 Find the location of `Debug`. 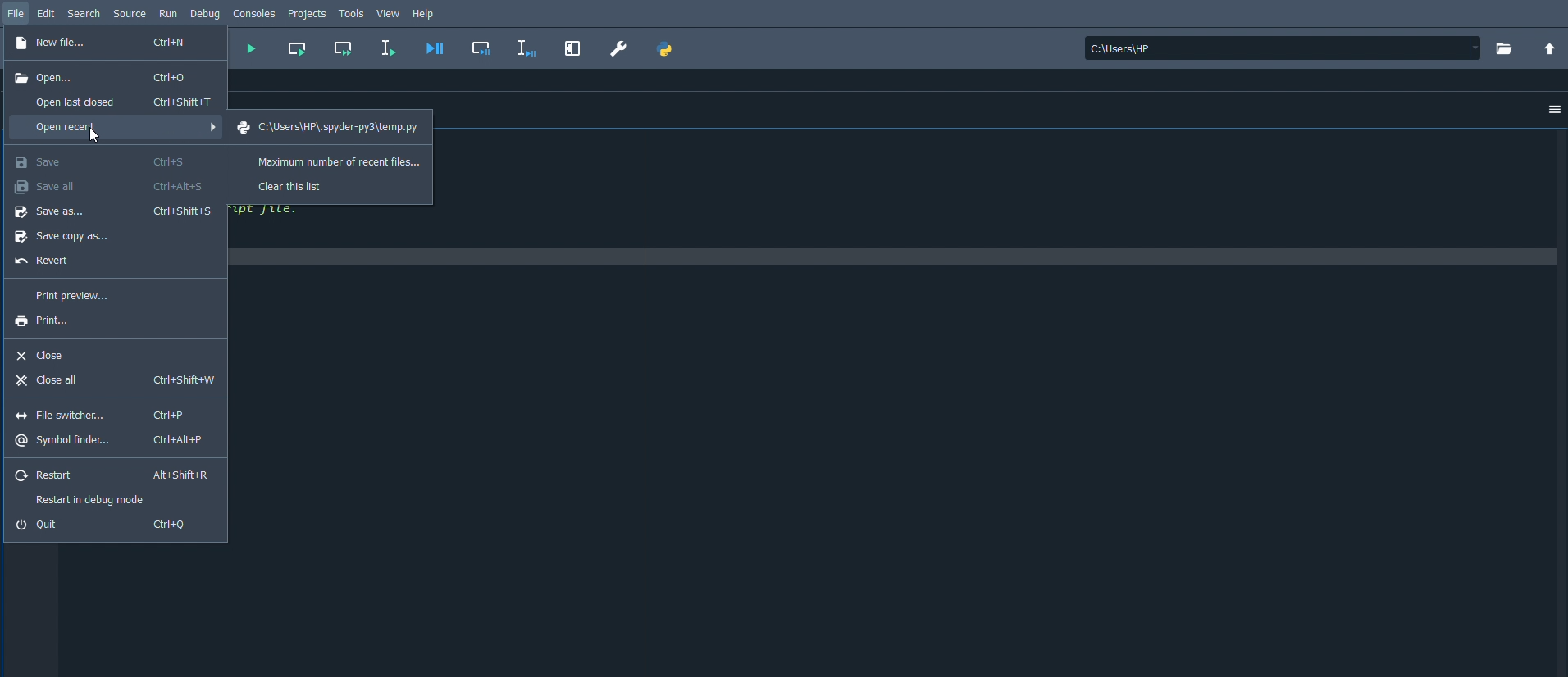

Debug is located at coordinates (205, 12).